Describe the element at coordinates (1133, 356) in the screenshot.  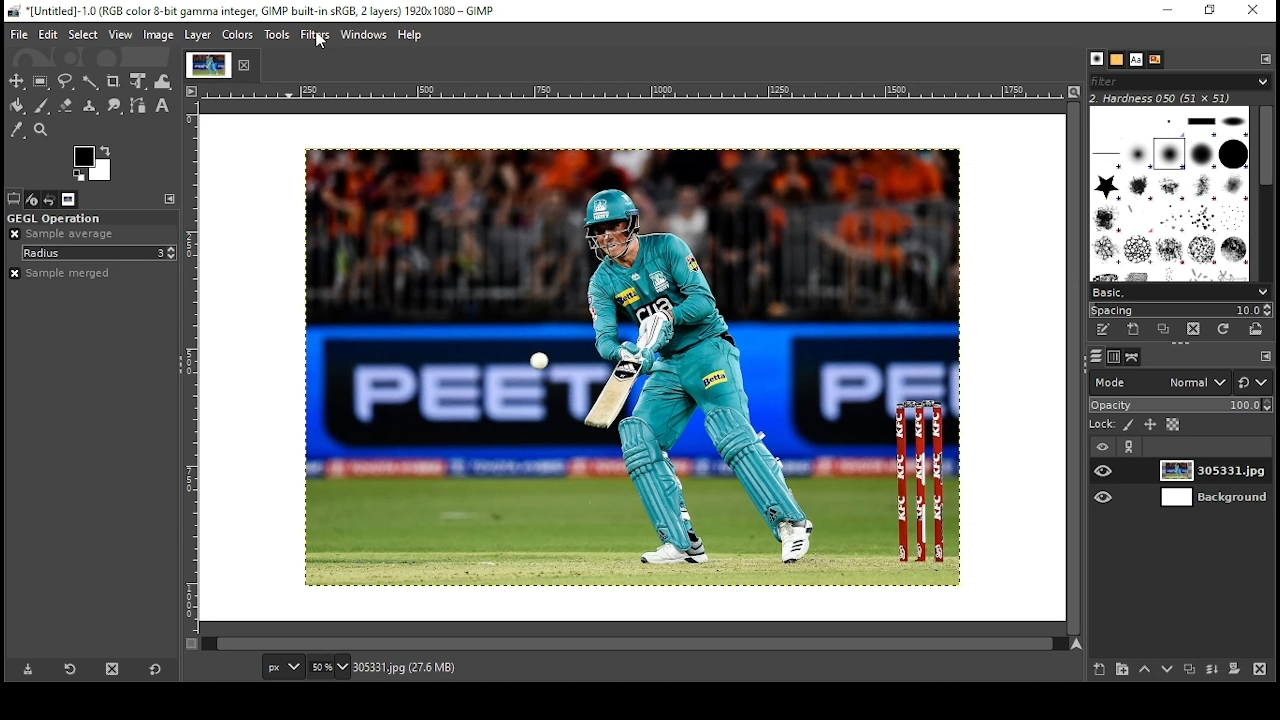
I see `paths` at that location.